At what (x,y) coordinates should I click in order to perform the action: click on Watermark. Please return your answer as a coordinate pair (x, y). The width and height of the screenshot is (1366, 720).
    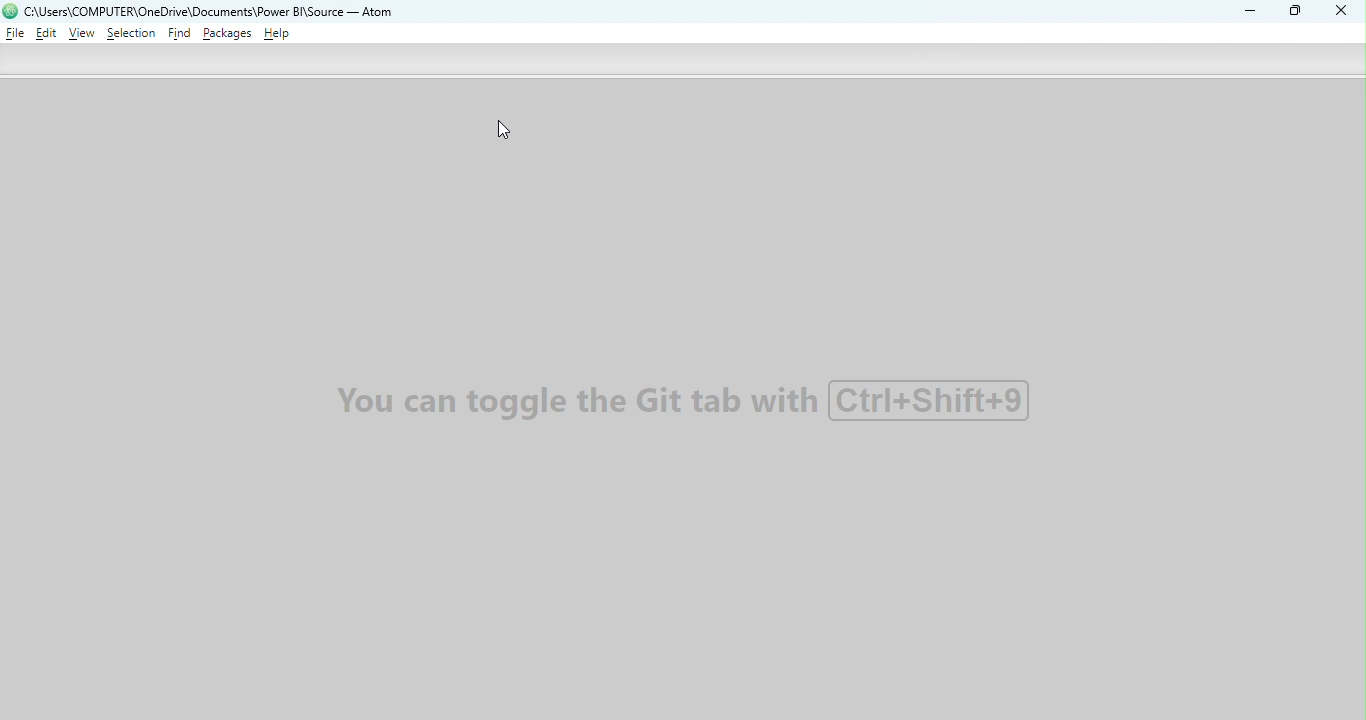
    Looking at the image, I should click on (687, 400).